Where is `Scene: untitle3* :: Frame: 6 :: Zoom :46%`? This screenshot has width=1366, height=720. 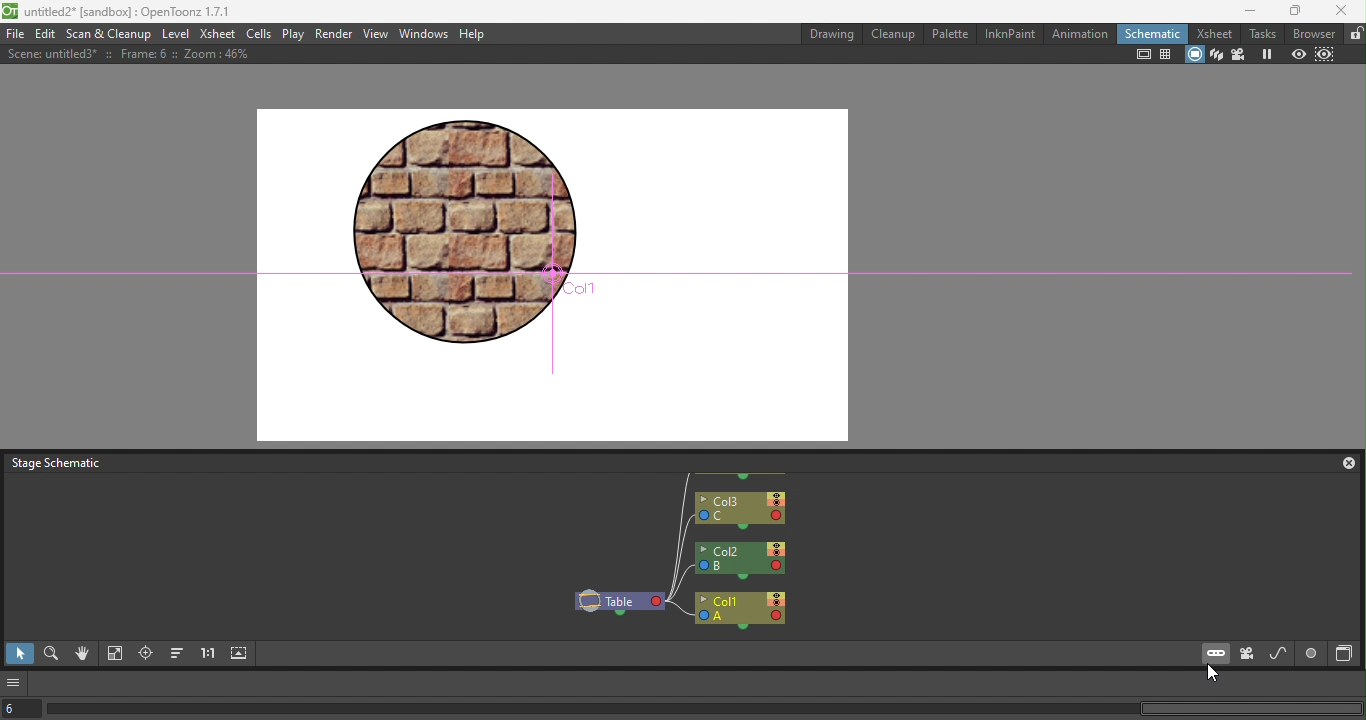
Scene: untitle3* :: Frame: 6 :: Zoom :46% is located at coordinates (135, 54).